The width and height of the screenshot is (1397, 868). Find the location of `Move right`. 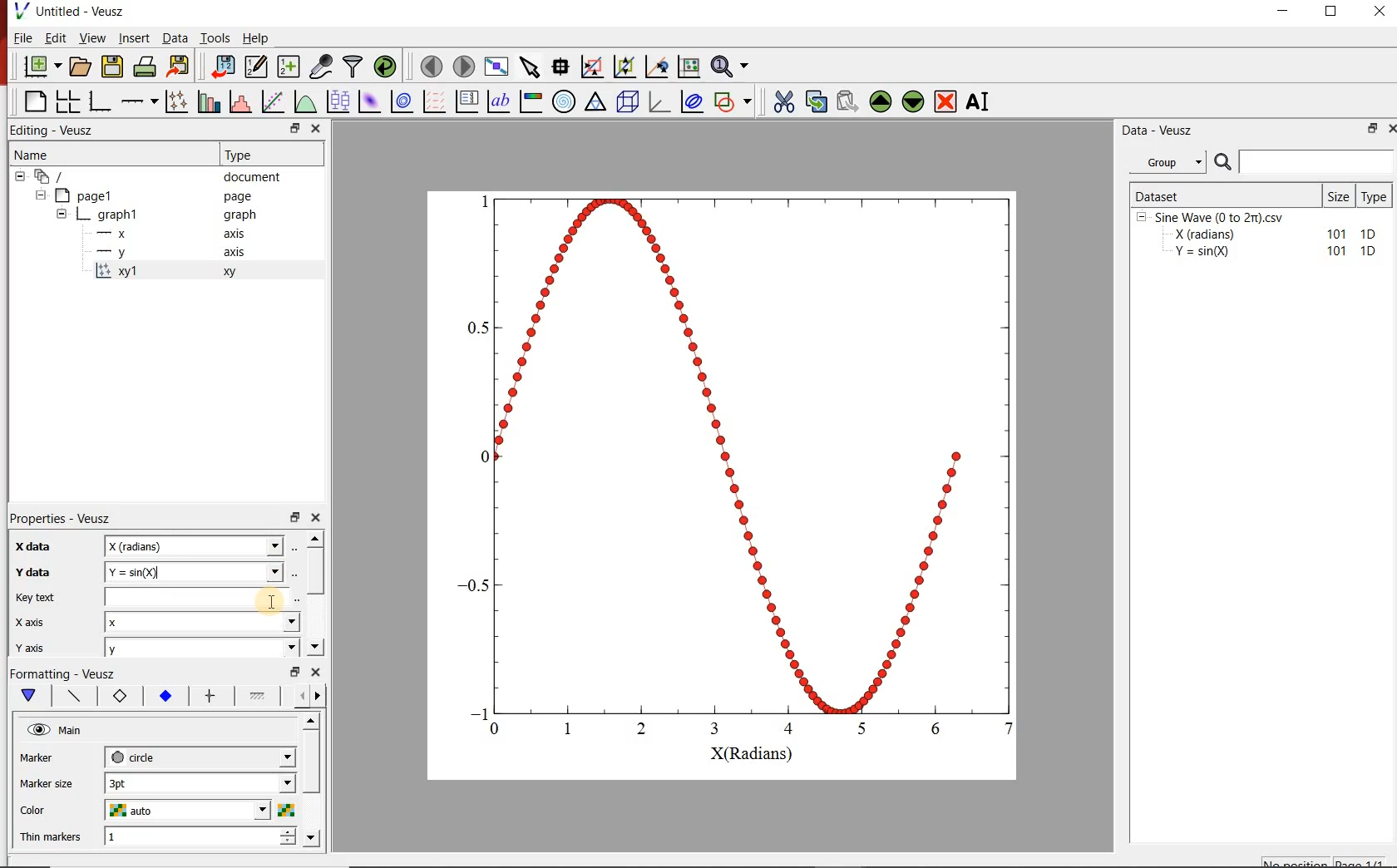

Move right is located at coordinates (320, 696).